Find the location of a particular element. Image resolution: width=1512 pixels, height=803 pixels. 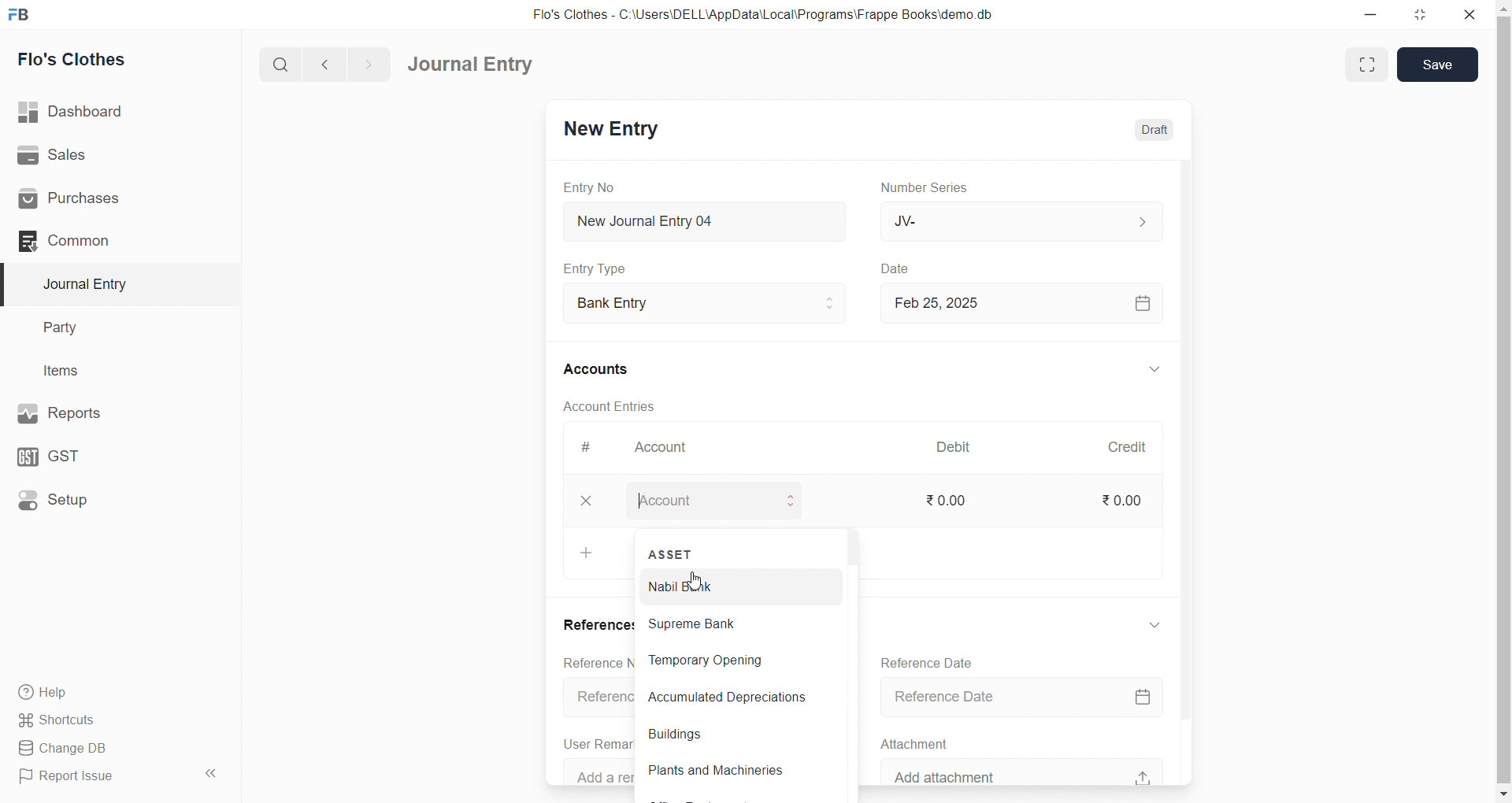

Expand/Collapse is located at coordinates (1152, 371).